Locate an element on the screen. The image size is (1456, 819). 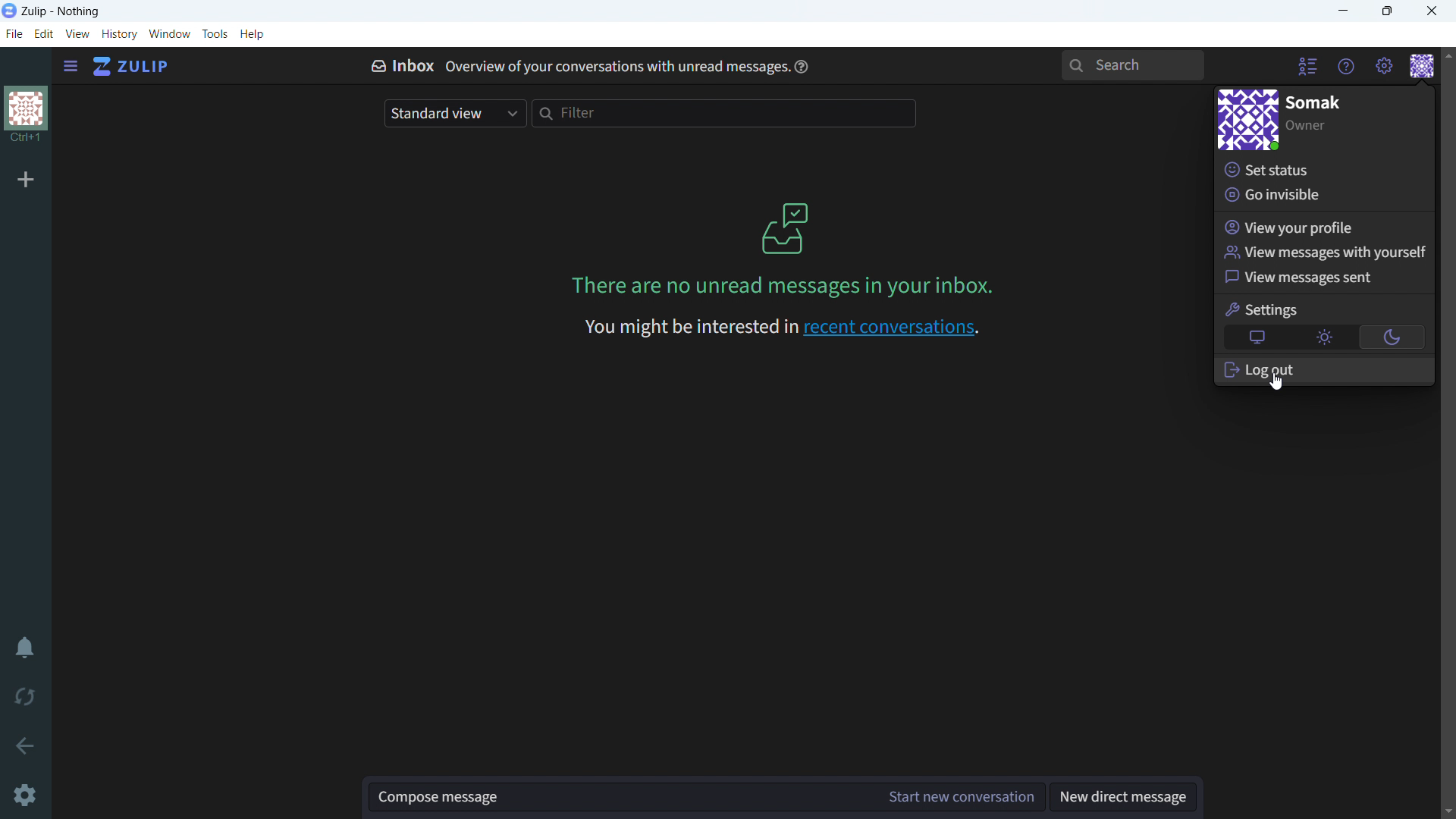
help menu is located at coordinates (1347, 67).